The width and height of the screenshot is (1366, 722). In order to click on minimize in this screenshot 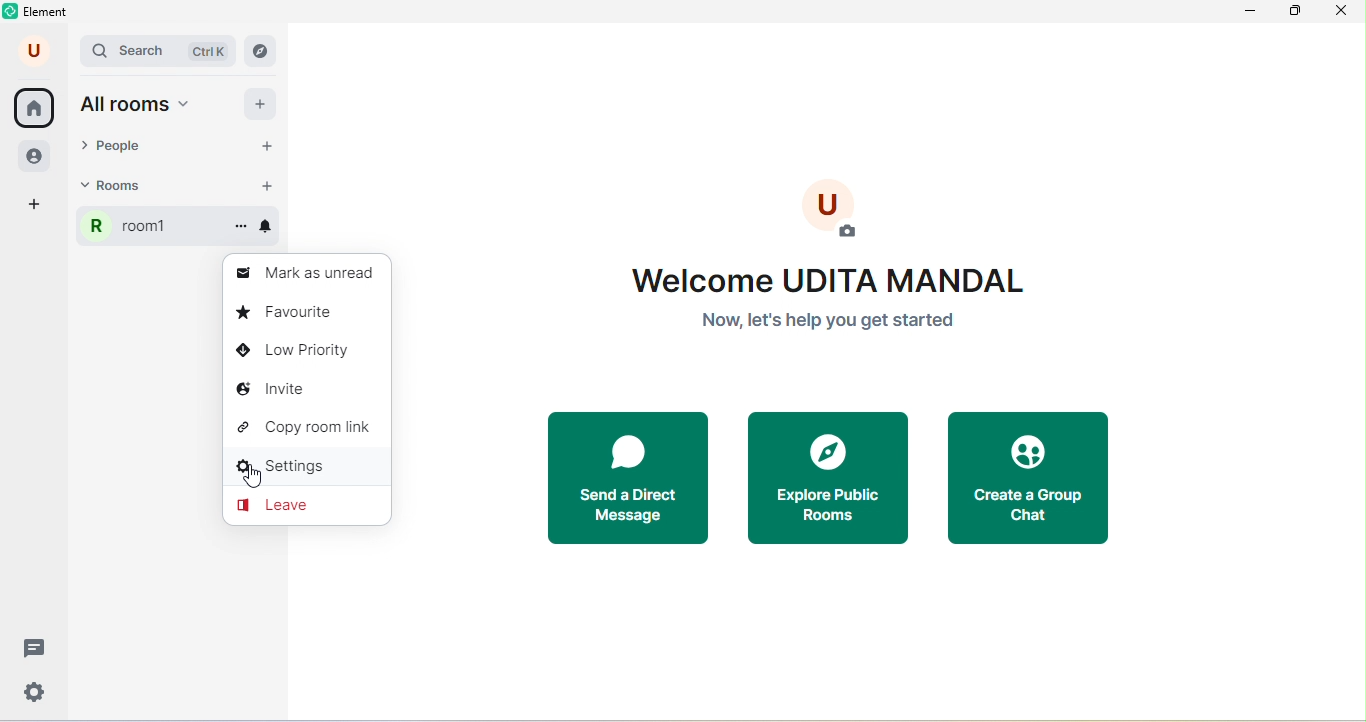, I will do `click(1249, 13)`.